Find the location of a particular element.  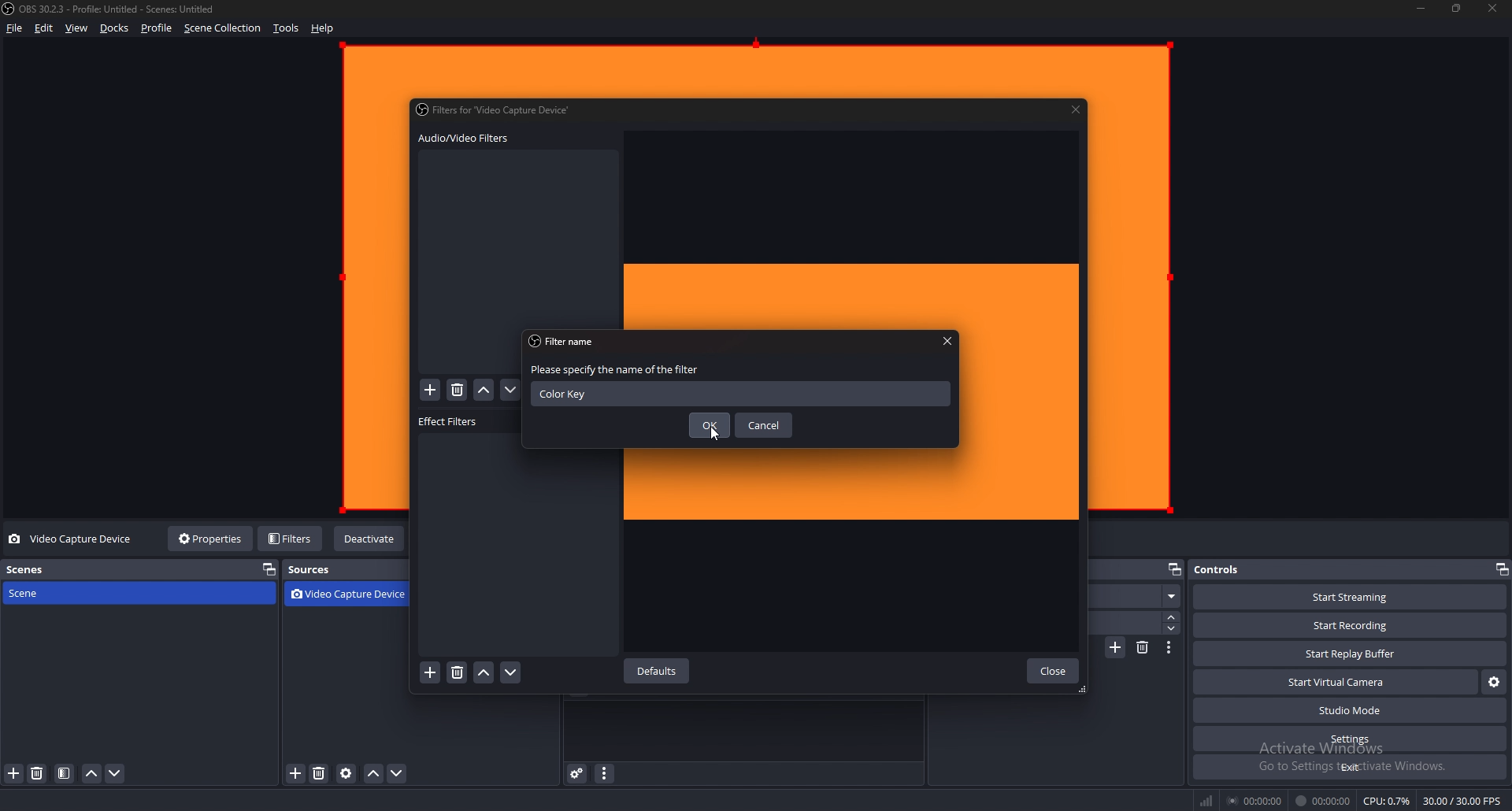

sources is located at coordinates (322, 570).